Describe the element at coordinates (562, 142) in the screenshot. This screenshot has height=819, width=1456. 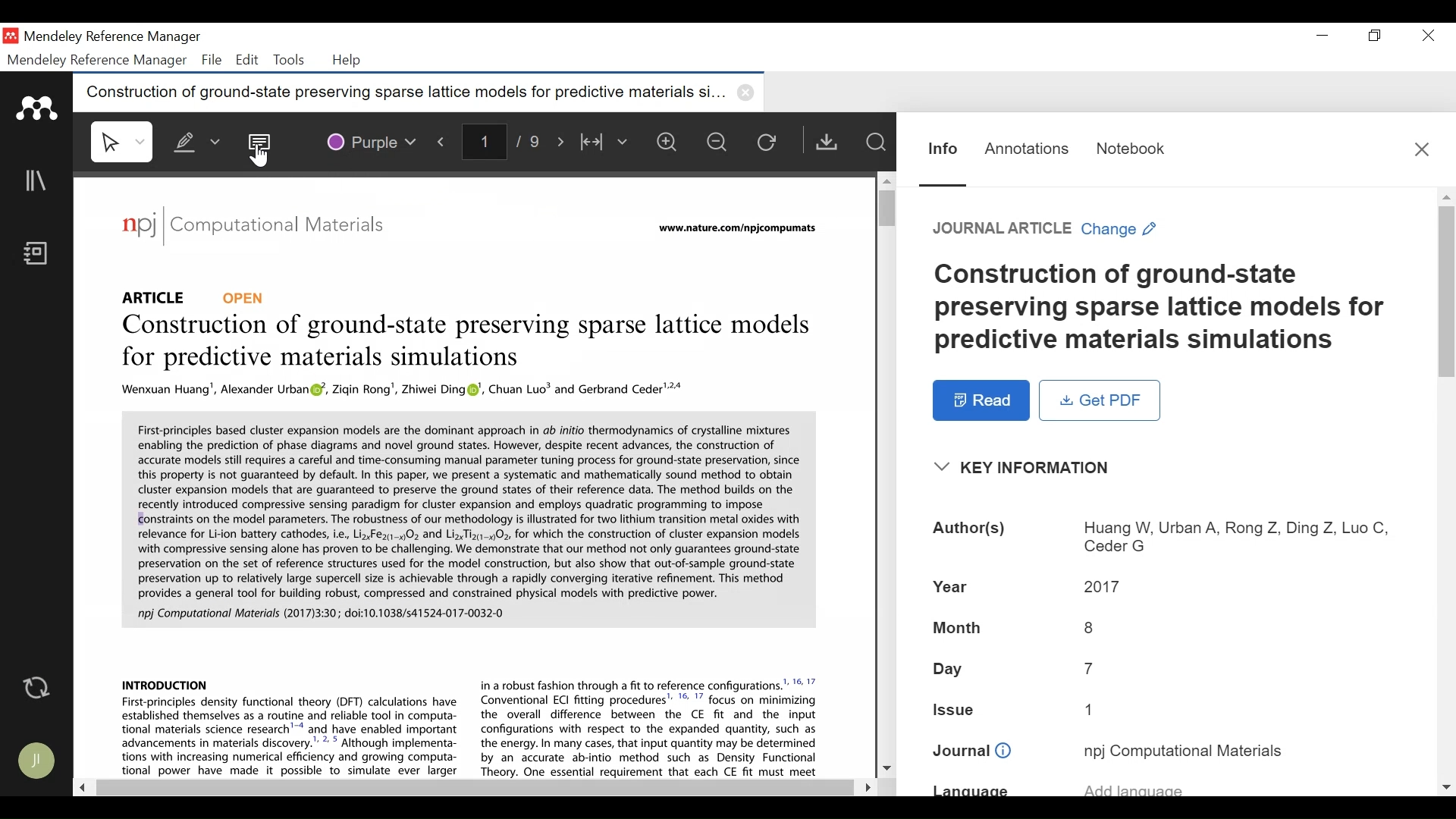
I see `Next Page` at that location.